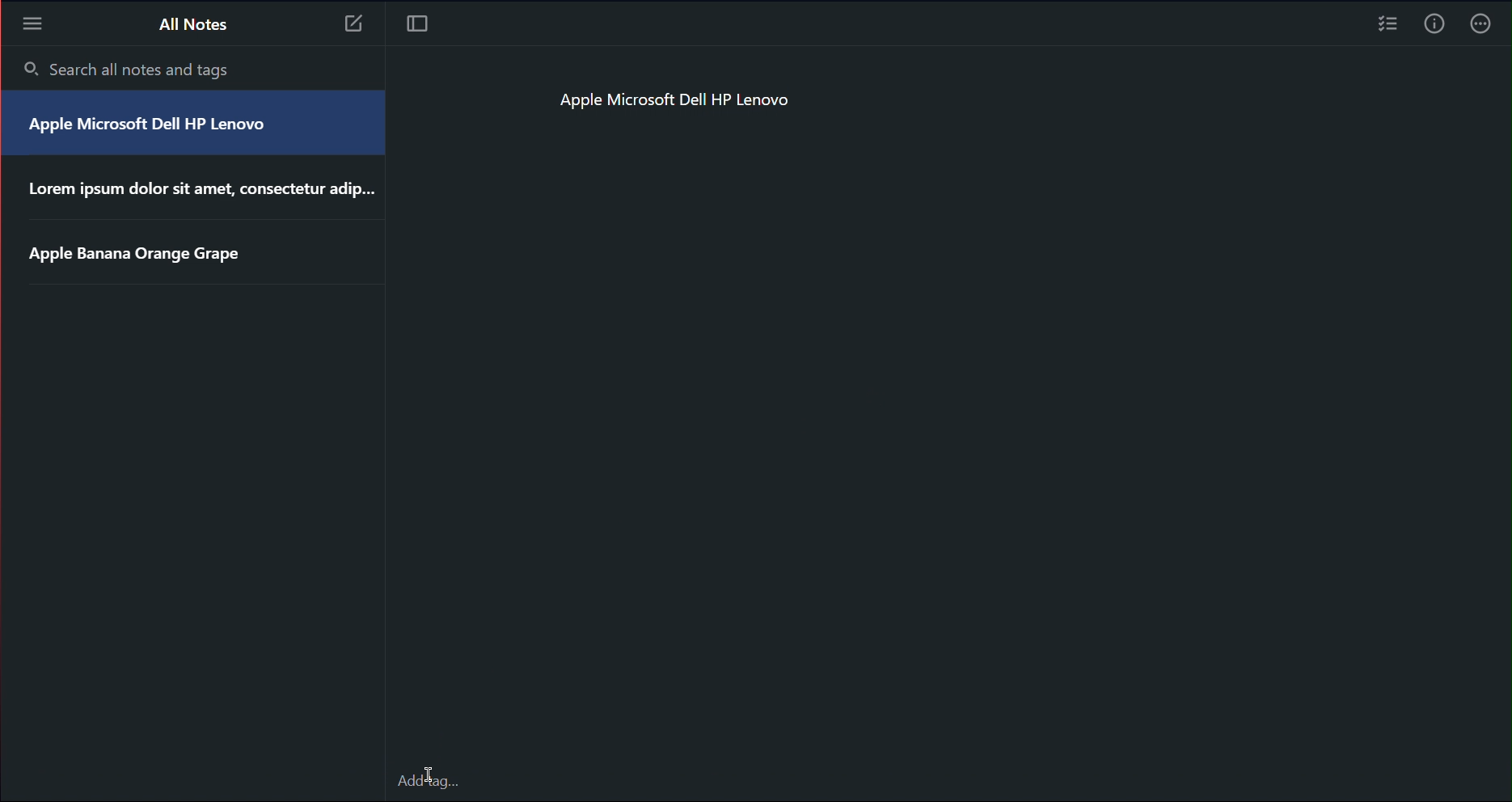 This screenshot has height=802, width=1512. What do you see at coordinates (146, 255) in the screenshot?
I see `Apple Banana Orange Grape` at bounding box center [146, 255].